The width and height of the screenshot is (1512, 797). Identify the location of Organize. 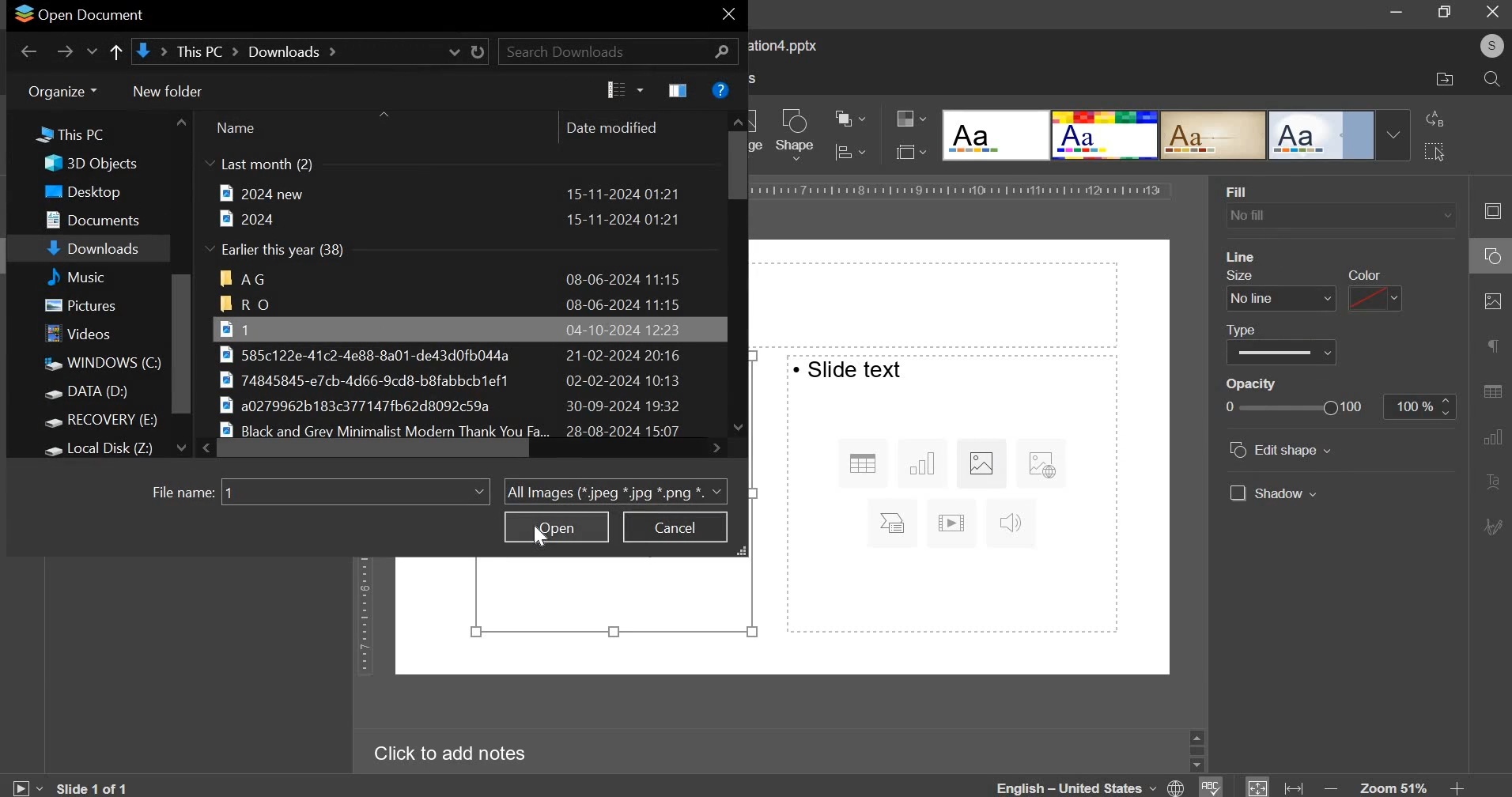
(61, 91).